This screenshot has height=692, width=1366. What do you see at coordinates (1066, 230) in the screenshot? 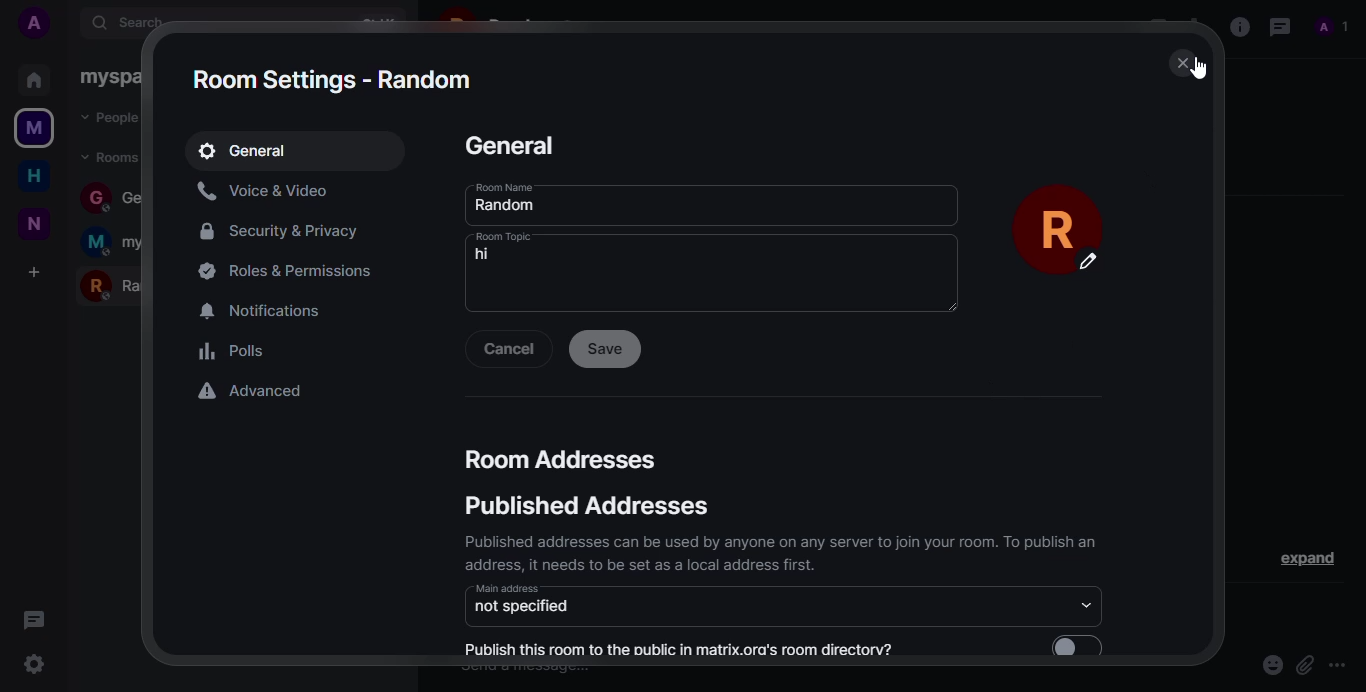
I see `profile pic` at bounding box center [1066, 230].